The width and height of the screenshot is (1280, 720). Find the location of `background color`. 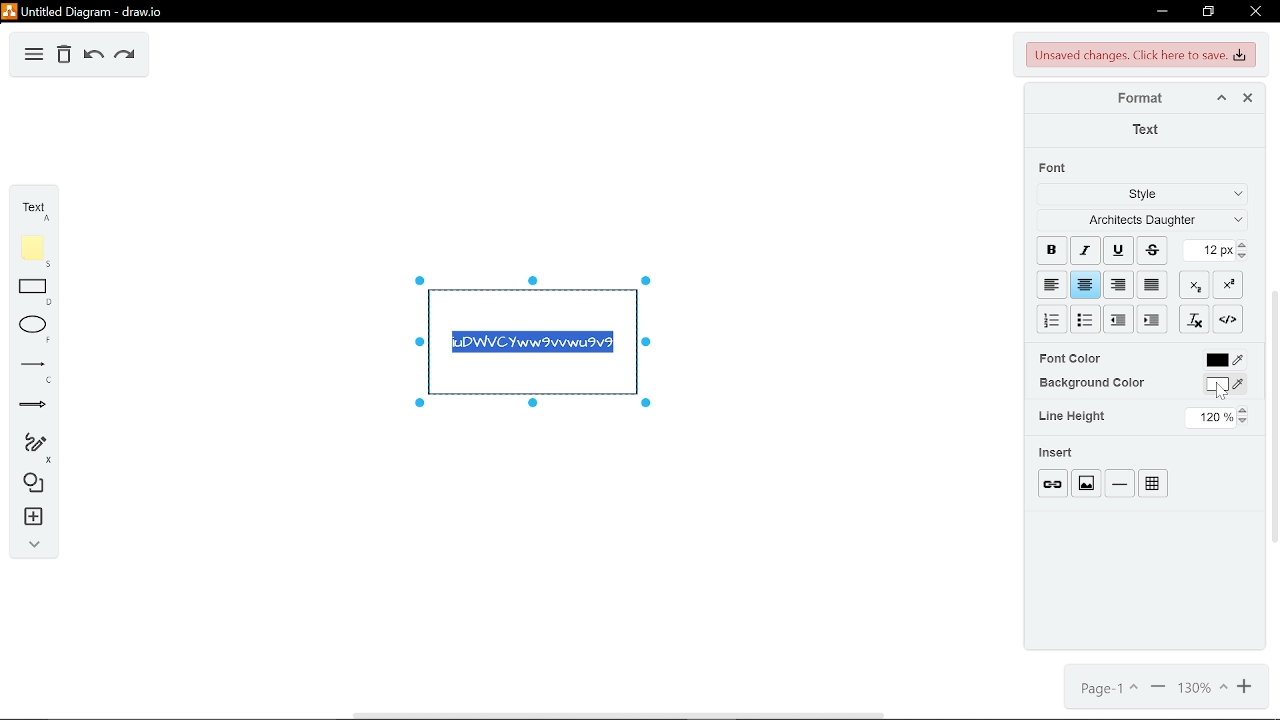

background color is located at coordinates (1223, 384).